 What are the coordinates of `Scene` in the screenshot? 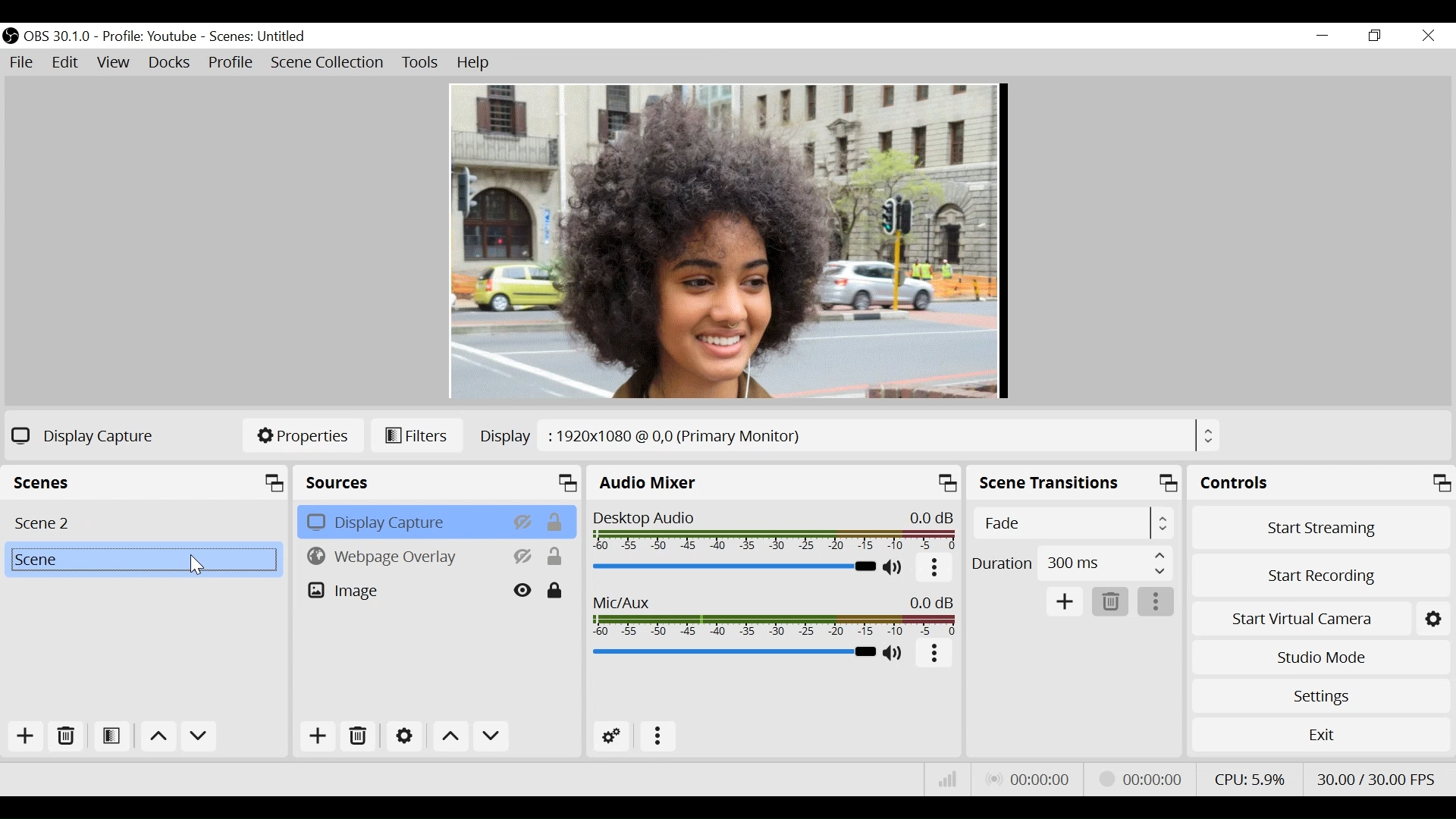 It's located at (148, 481).